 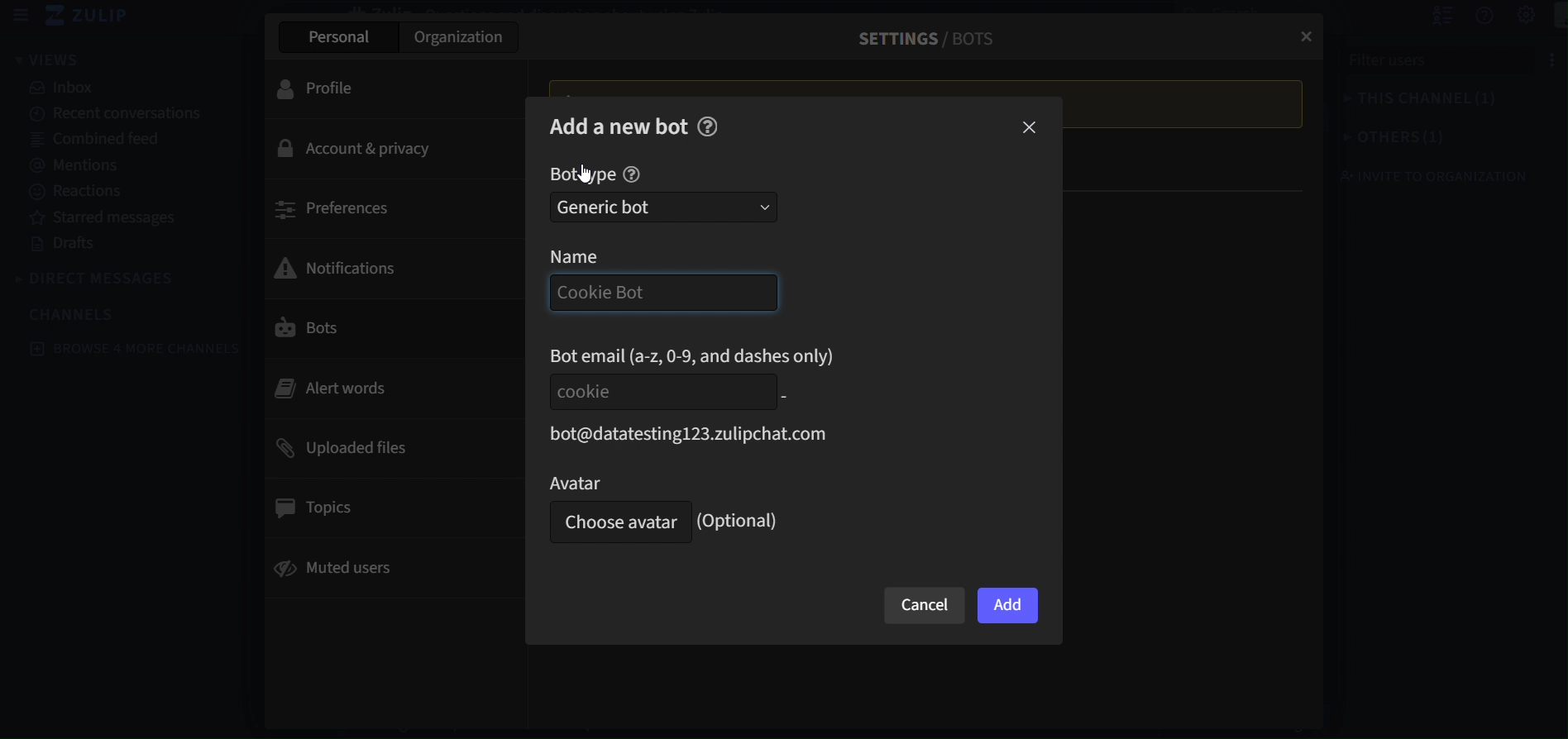 What do you see at coordinates (1419, 176) in the screenshot?
I see `invite to organization` at bounding box center [1419, 176].